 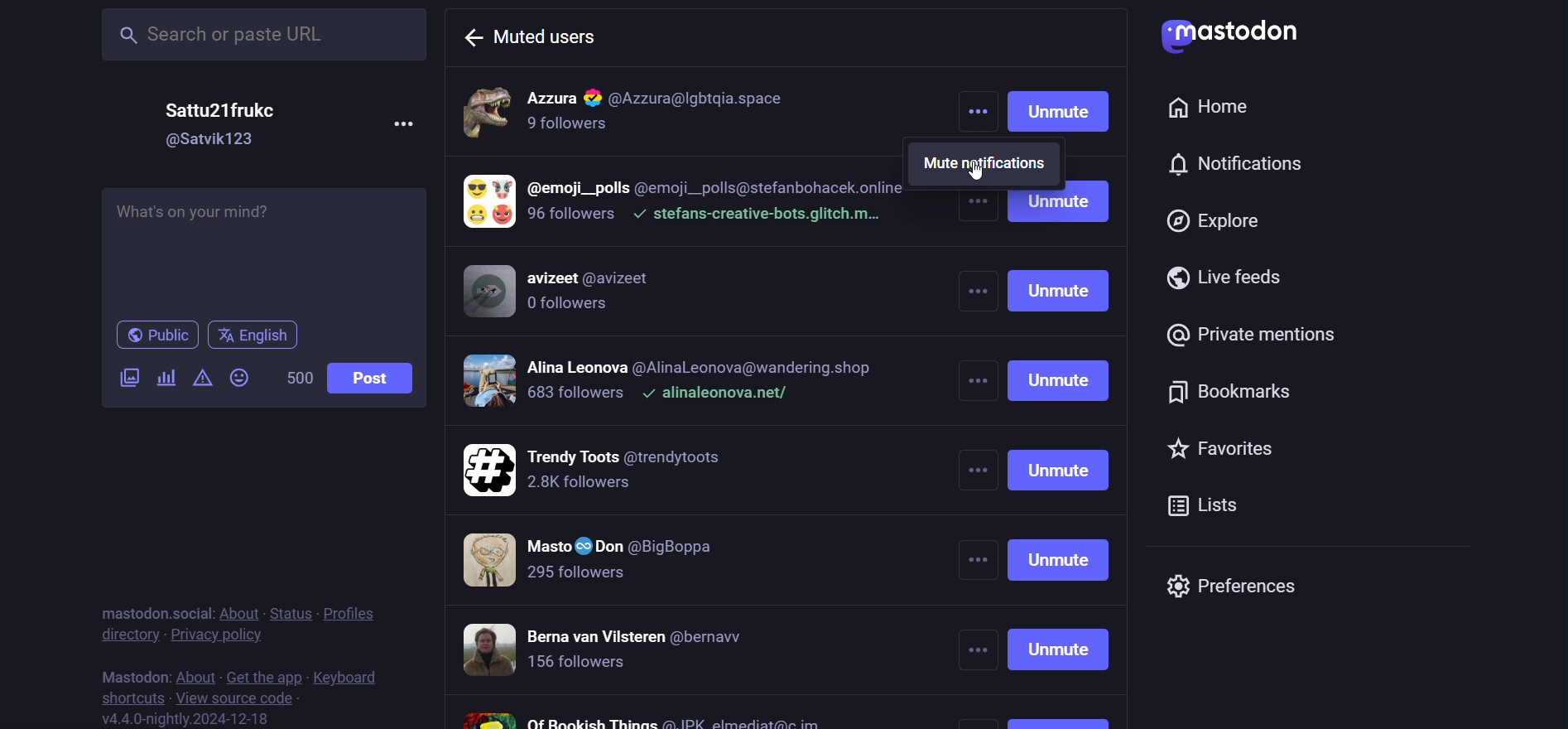 I want to click on muter users 1, so click(x=694, y=108).